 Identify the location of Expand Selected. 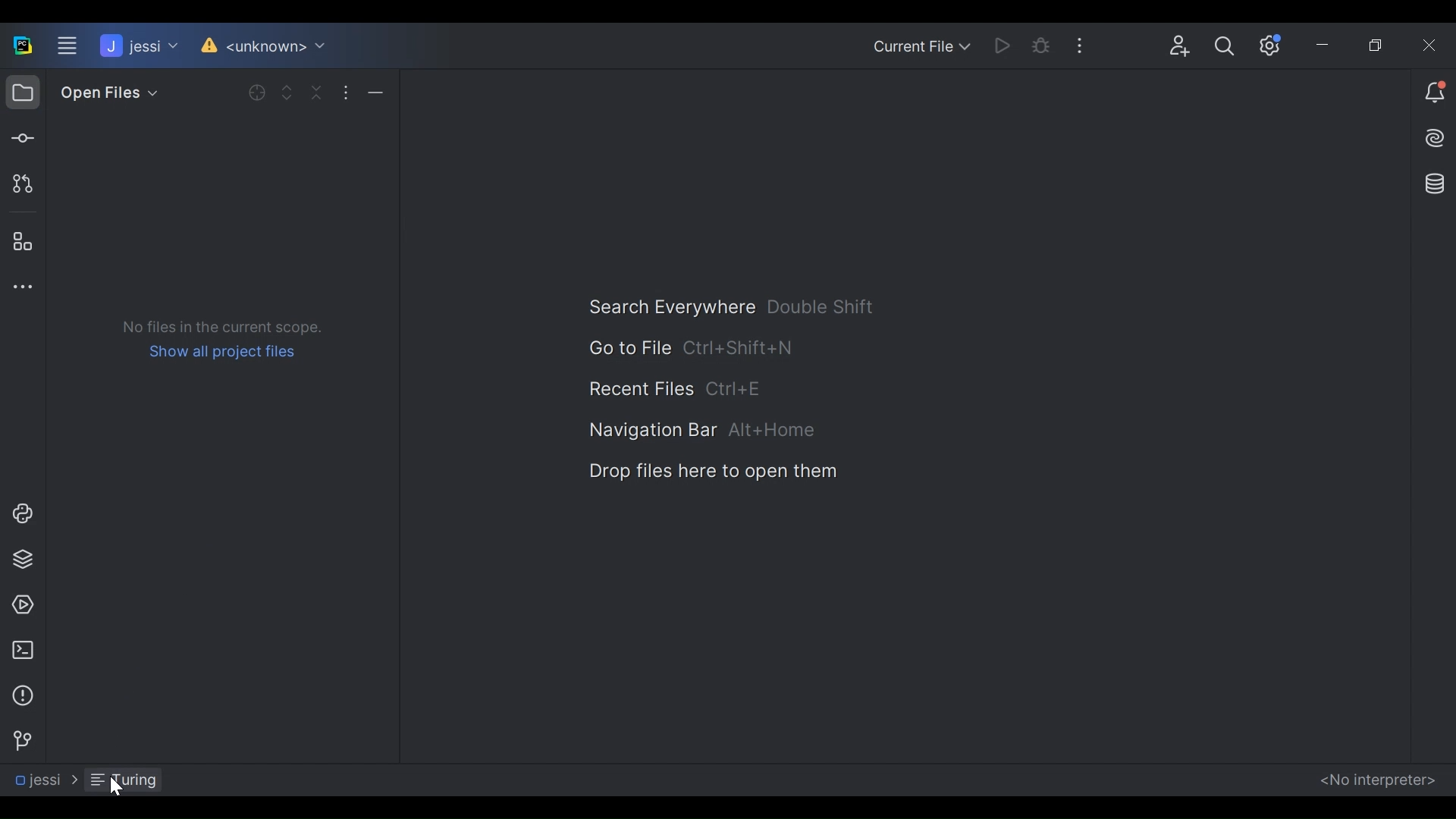
(287, 93).